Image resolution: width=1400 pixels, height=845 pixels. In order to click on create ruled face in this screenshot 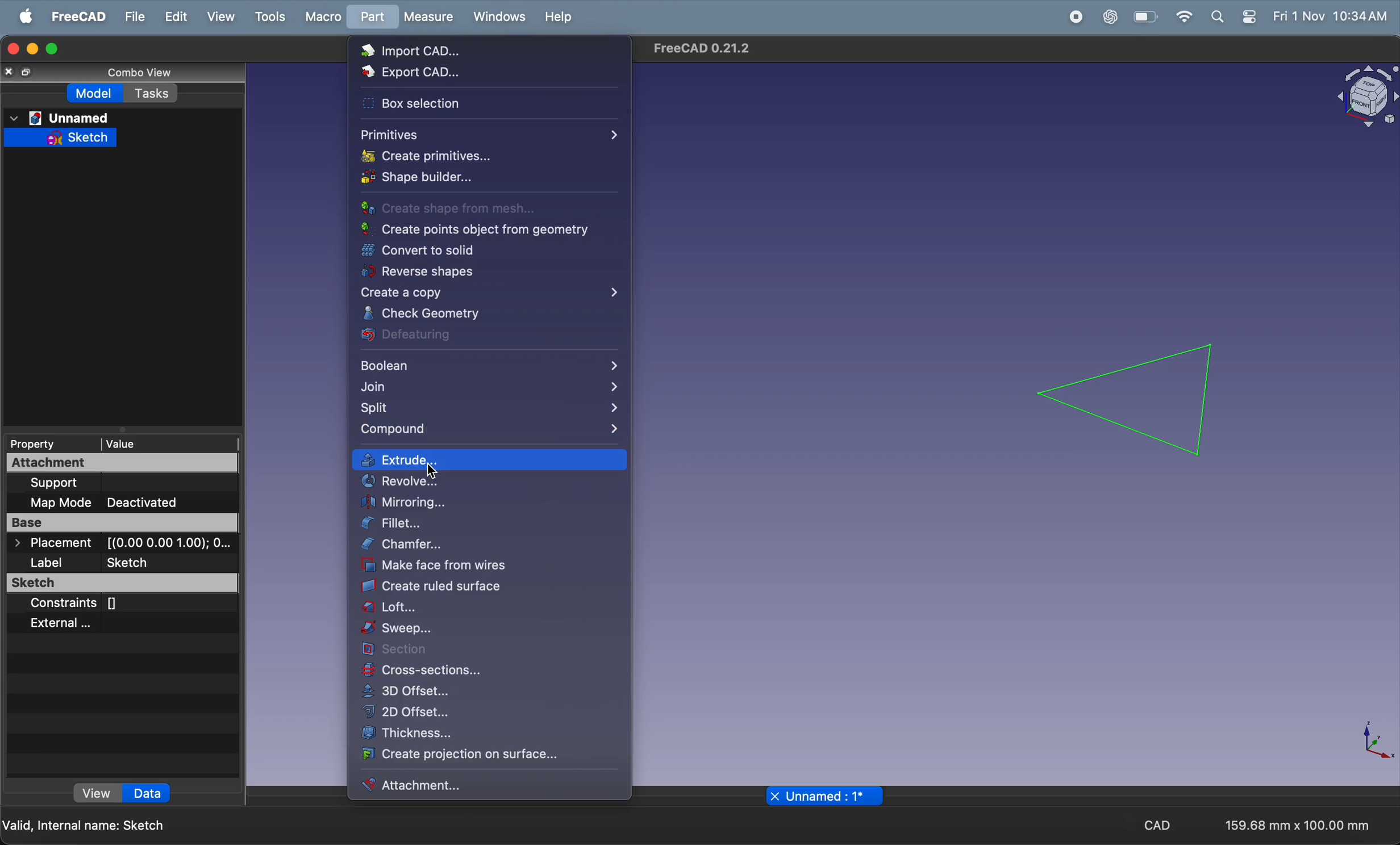, I will do `click(481, 587)`.